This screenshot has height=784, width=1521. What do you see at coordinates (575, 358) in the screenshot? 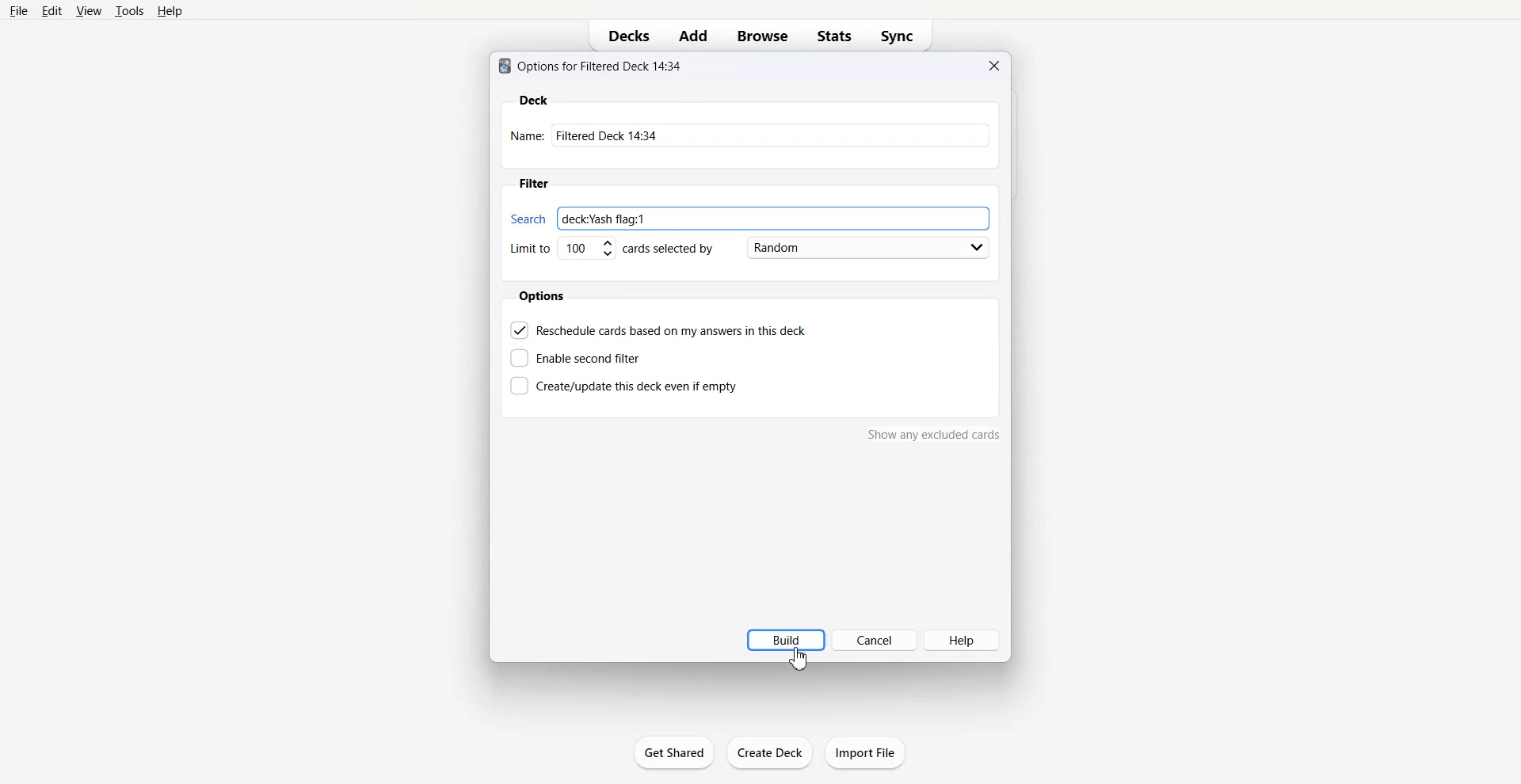
I see `Enable Second filter` at bounding box center [575, 358].